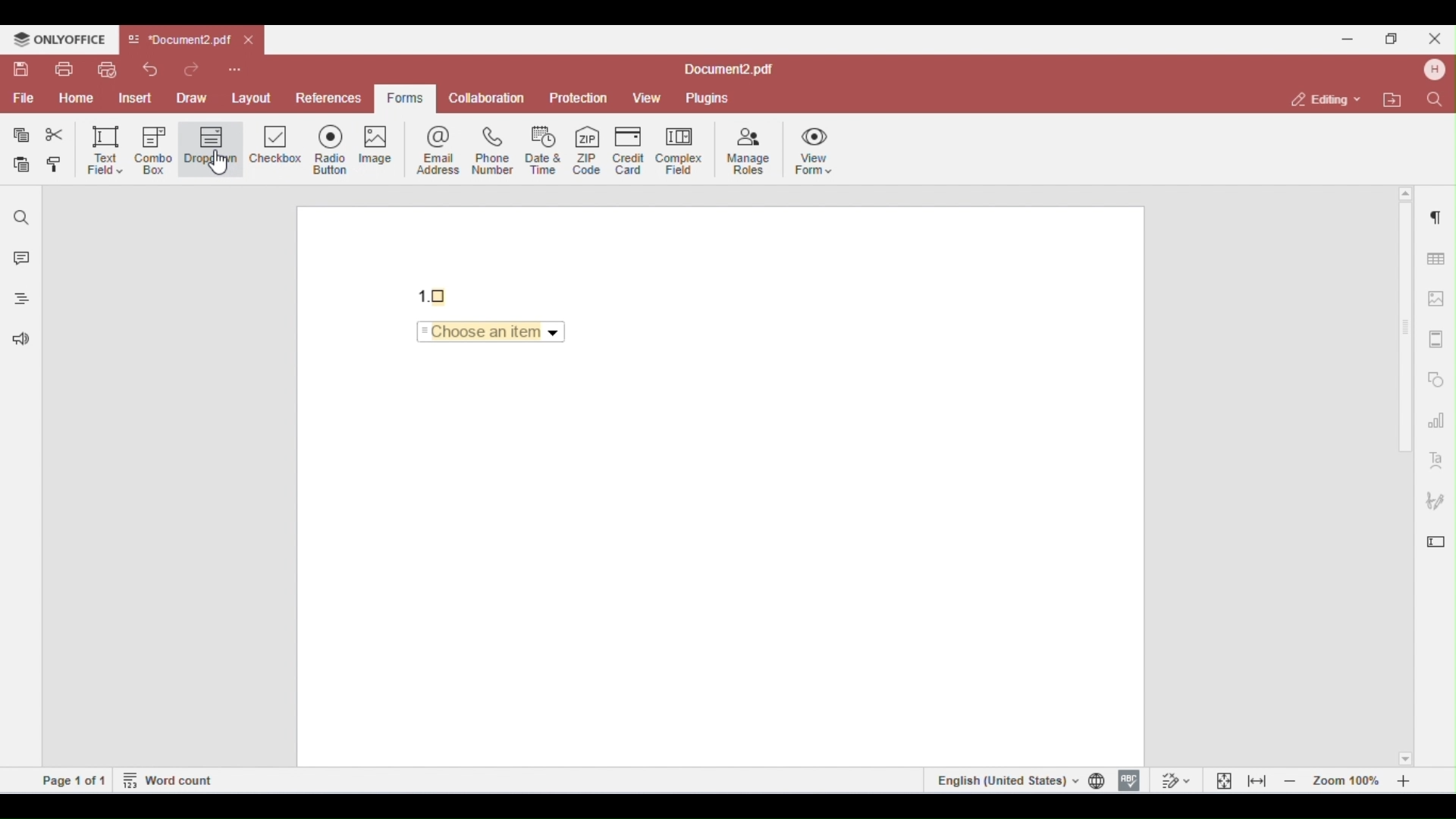  What do you see at coordinates (1434, 256) in the screenshot?
I see `table settings` at bounding box center [1434, 256].